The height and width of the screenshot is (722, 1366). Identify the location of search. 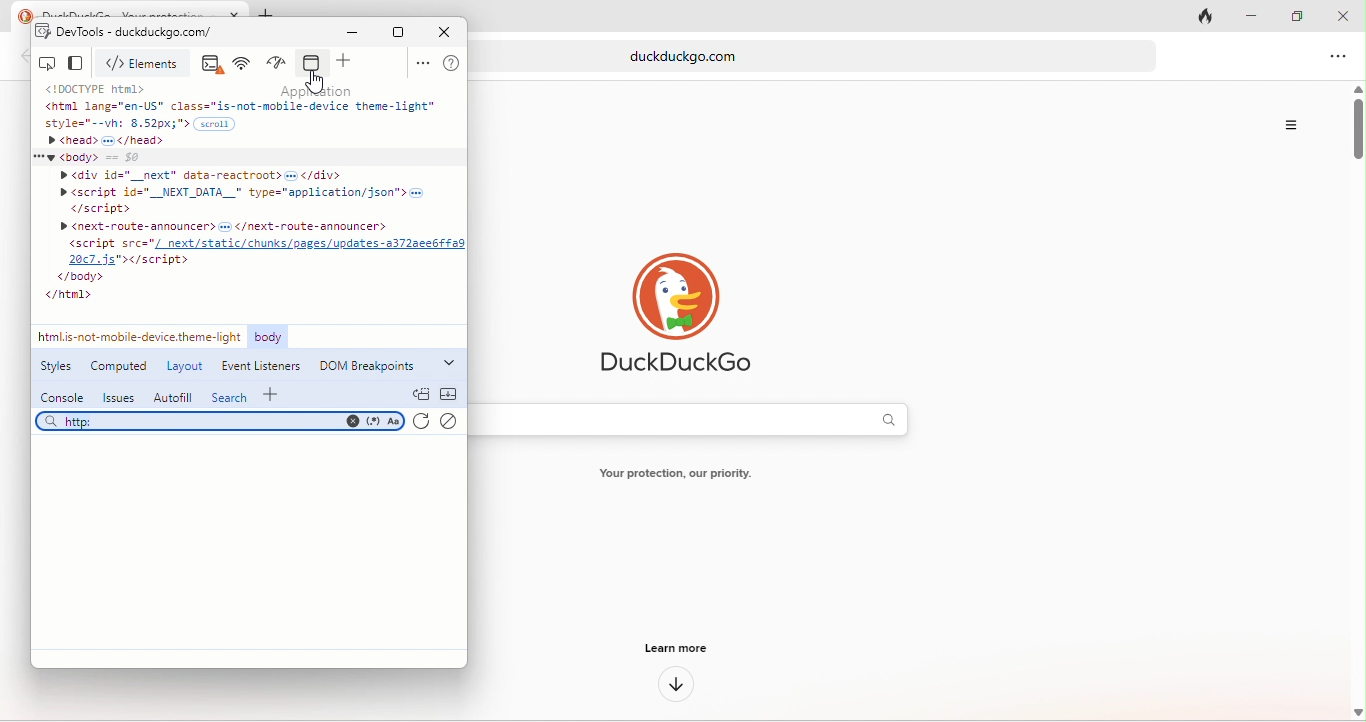
(229, 400).